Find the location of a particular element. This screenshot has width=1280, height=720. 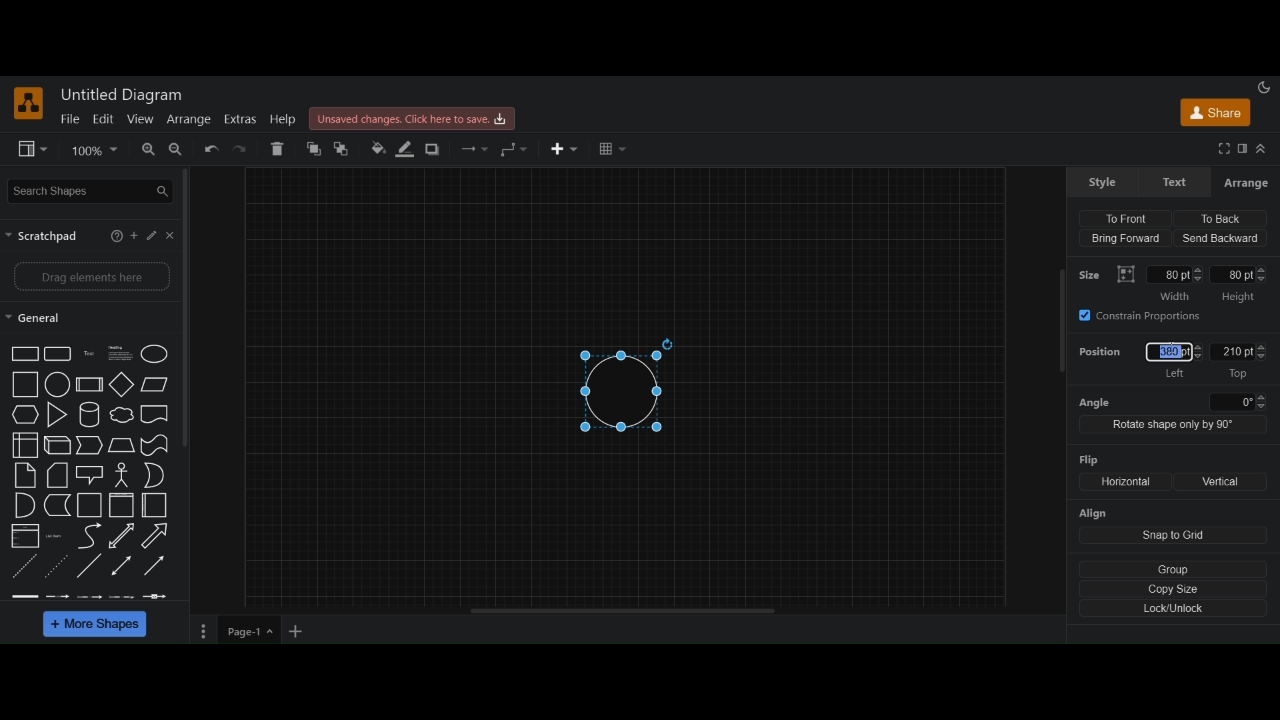

Draw.io logo is located at coordinates (29, 103).